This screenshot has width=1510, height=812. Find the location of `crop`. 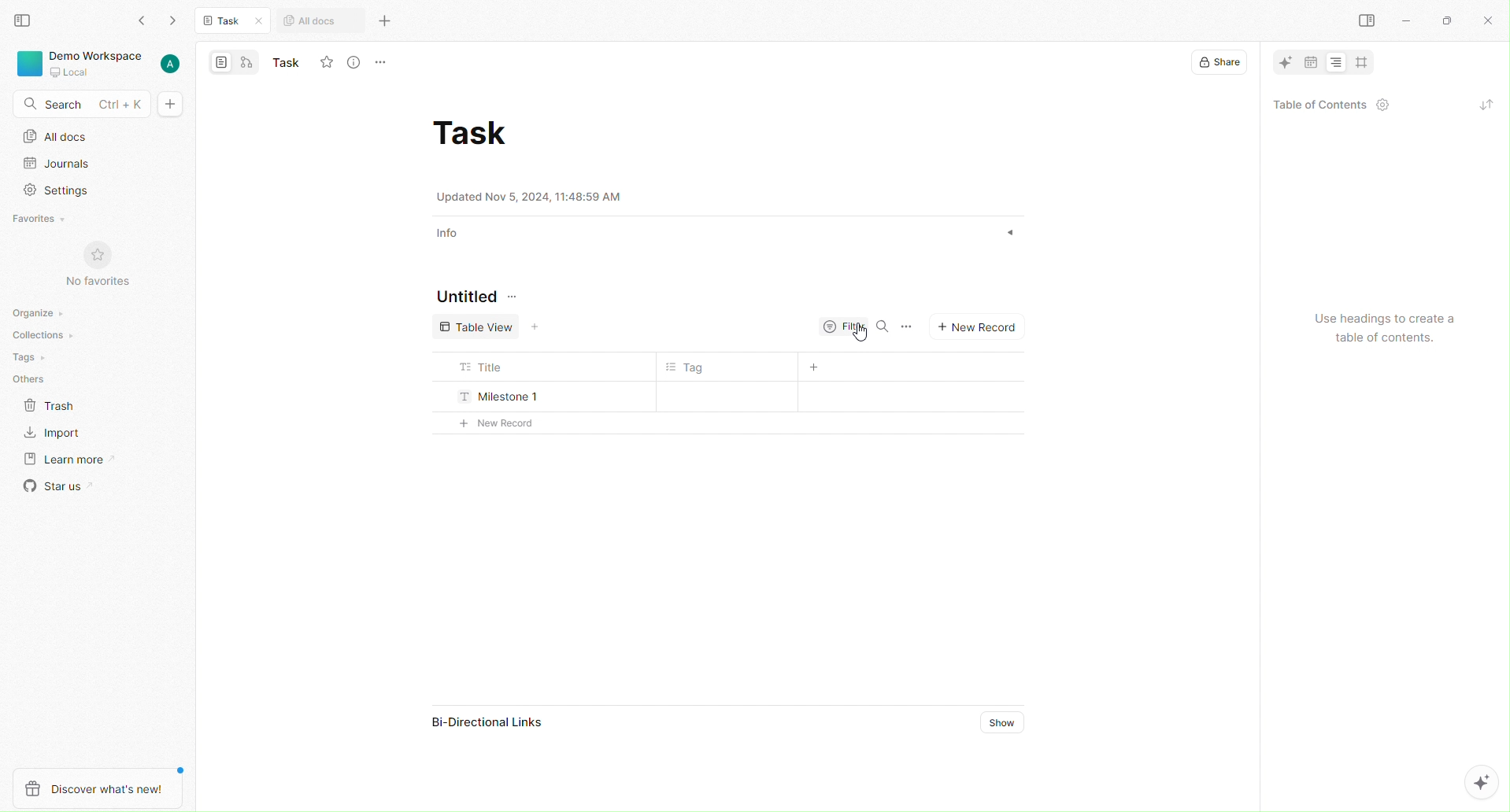

crop is located at coordinates (1363, 64).